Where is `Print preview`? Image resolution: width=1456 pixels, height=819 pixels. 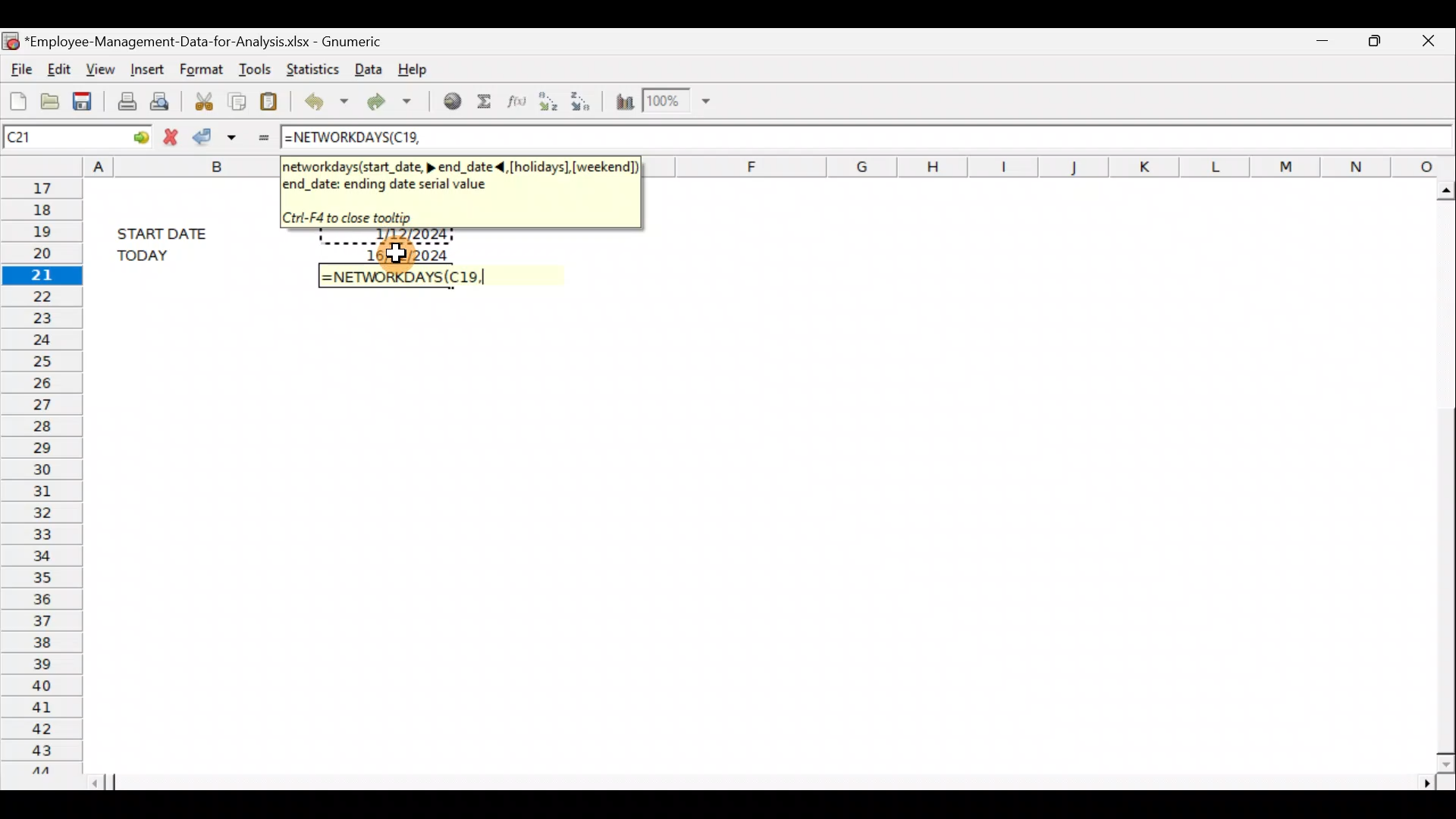
Print preview is located at coordinates (165, 100).